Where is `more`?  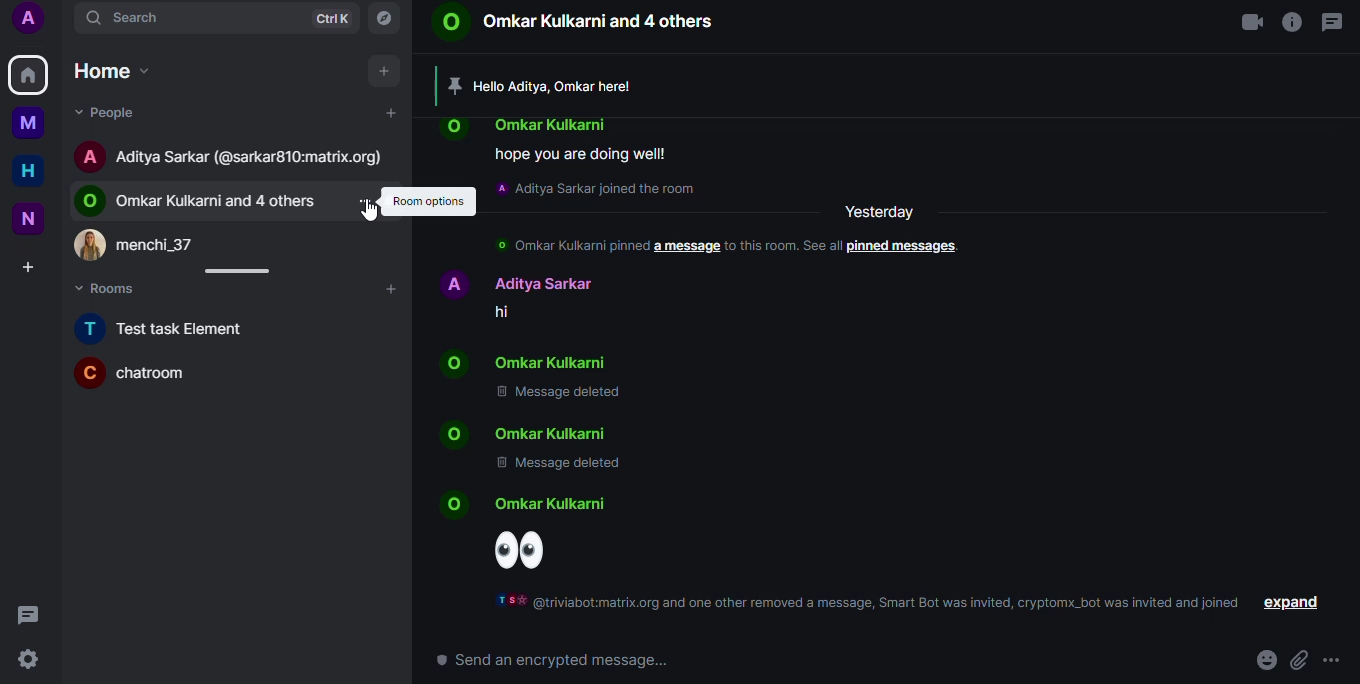
more is located at coordinates (364, 201).